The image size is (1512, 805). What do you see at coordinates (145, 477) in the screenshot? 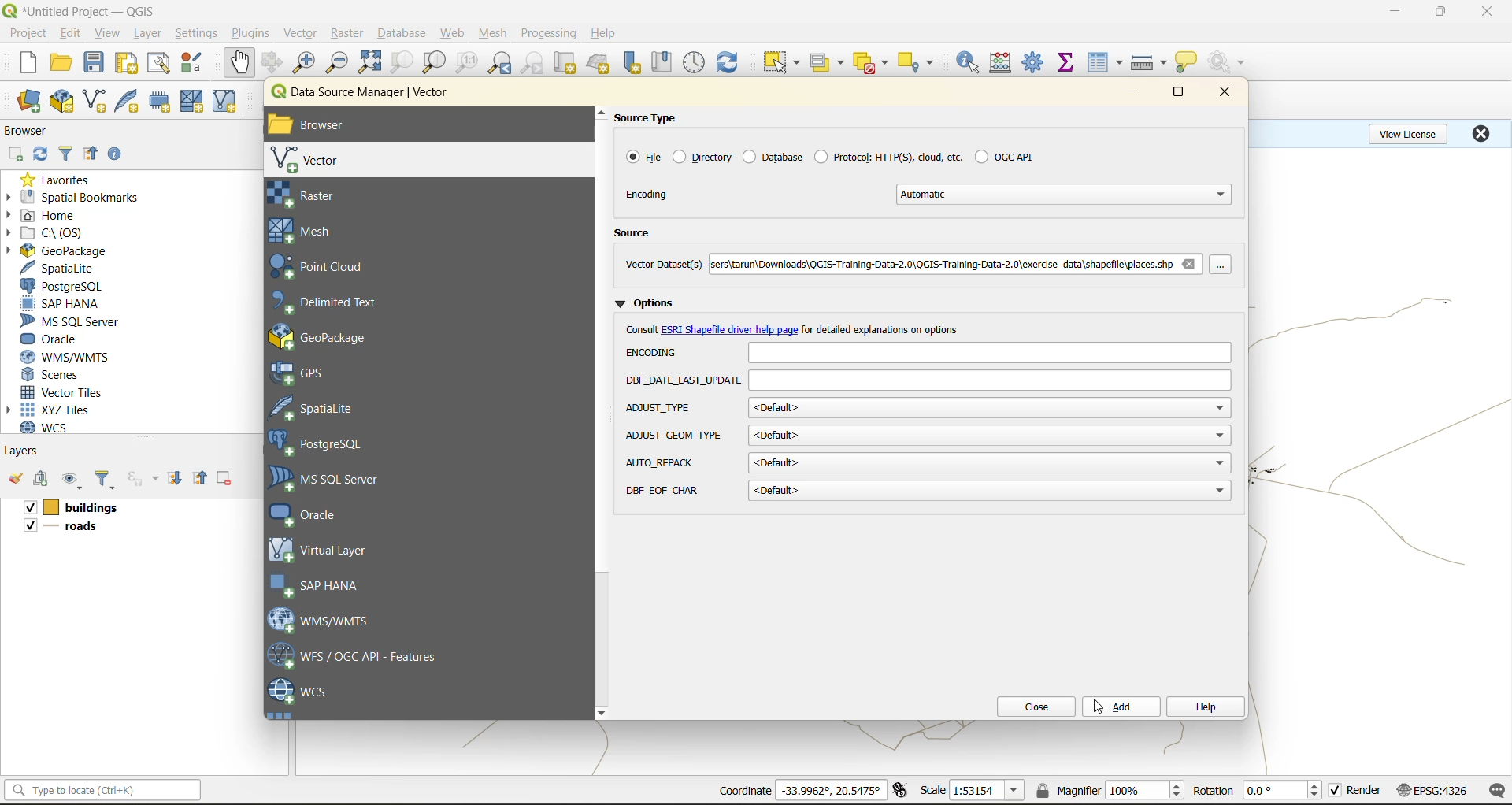
I see `filter by expression` at bounding box center [145, 477].